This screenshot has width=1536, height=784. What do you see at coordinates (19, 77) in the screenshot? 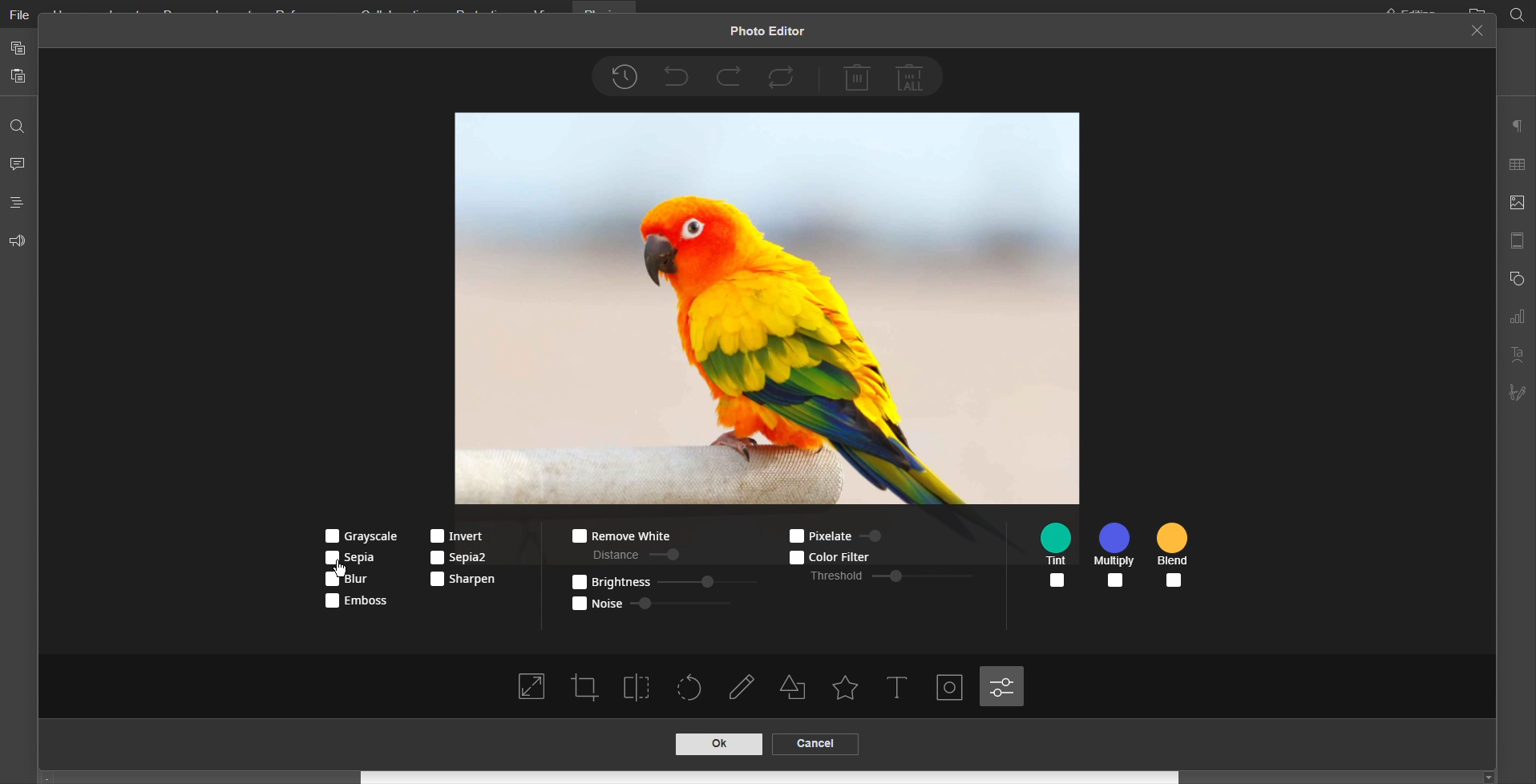
I see `Paste` at bounding box center [19, 77].